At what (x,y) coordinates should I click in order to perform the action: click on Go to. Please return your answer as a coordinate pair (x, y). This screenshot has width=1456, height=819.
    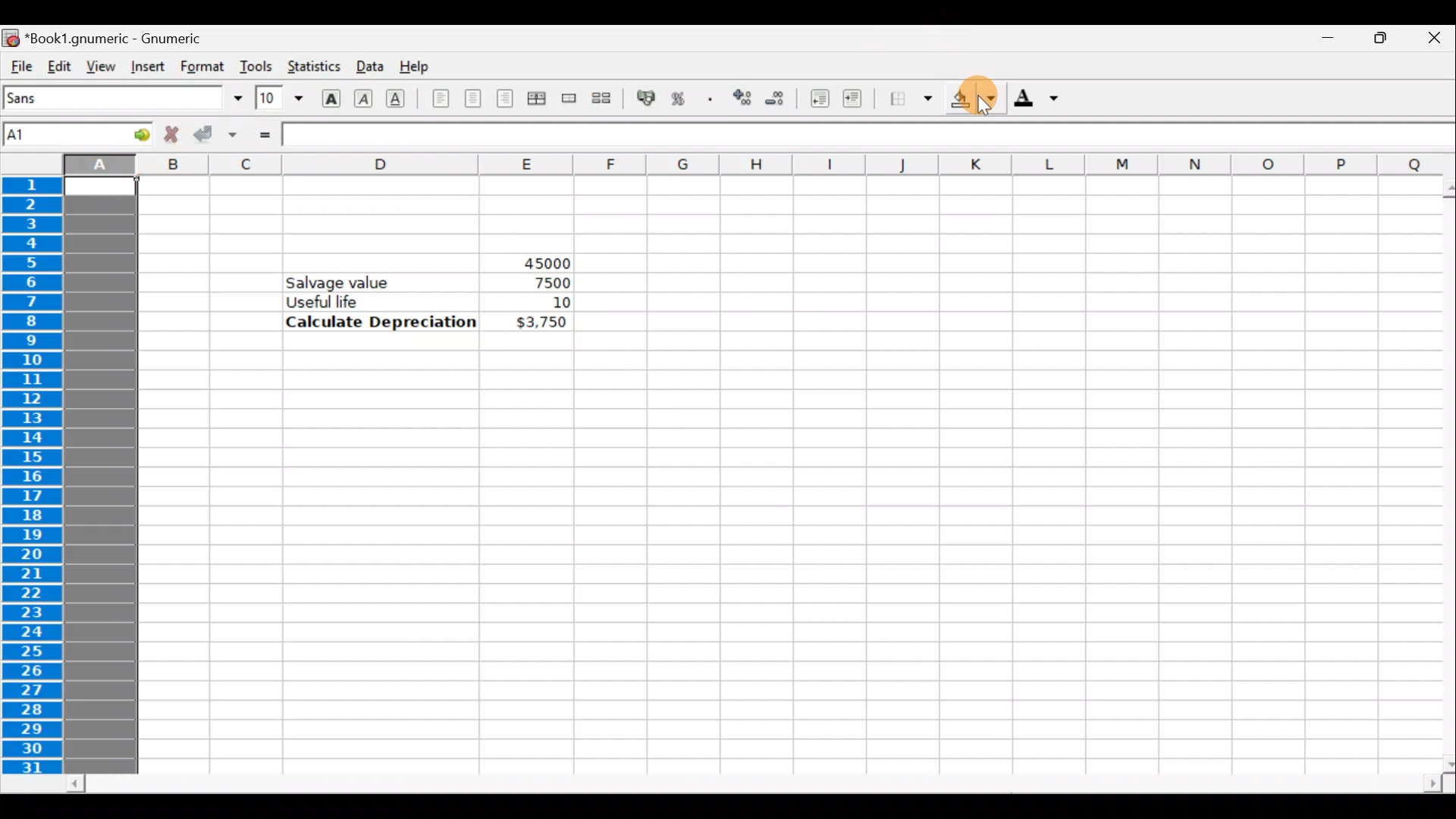
    Looking at the image, I should click on (131, 133).